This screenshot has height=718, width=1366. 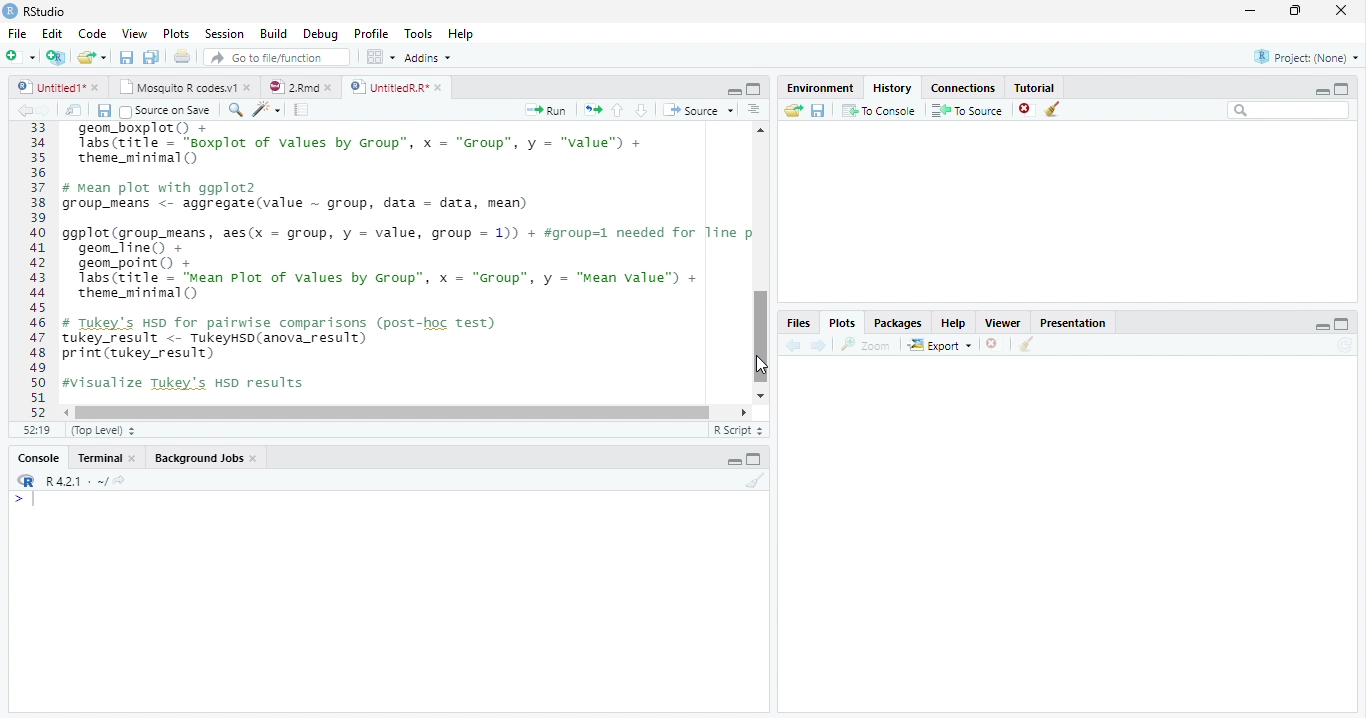 I want to click on Edit, so click(x=51, y=33).